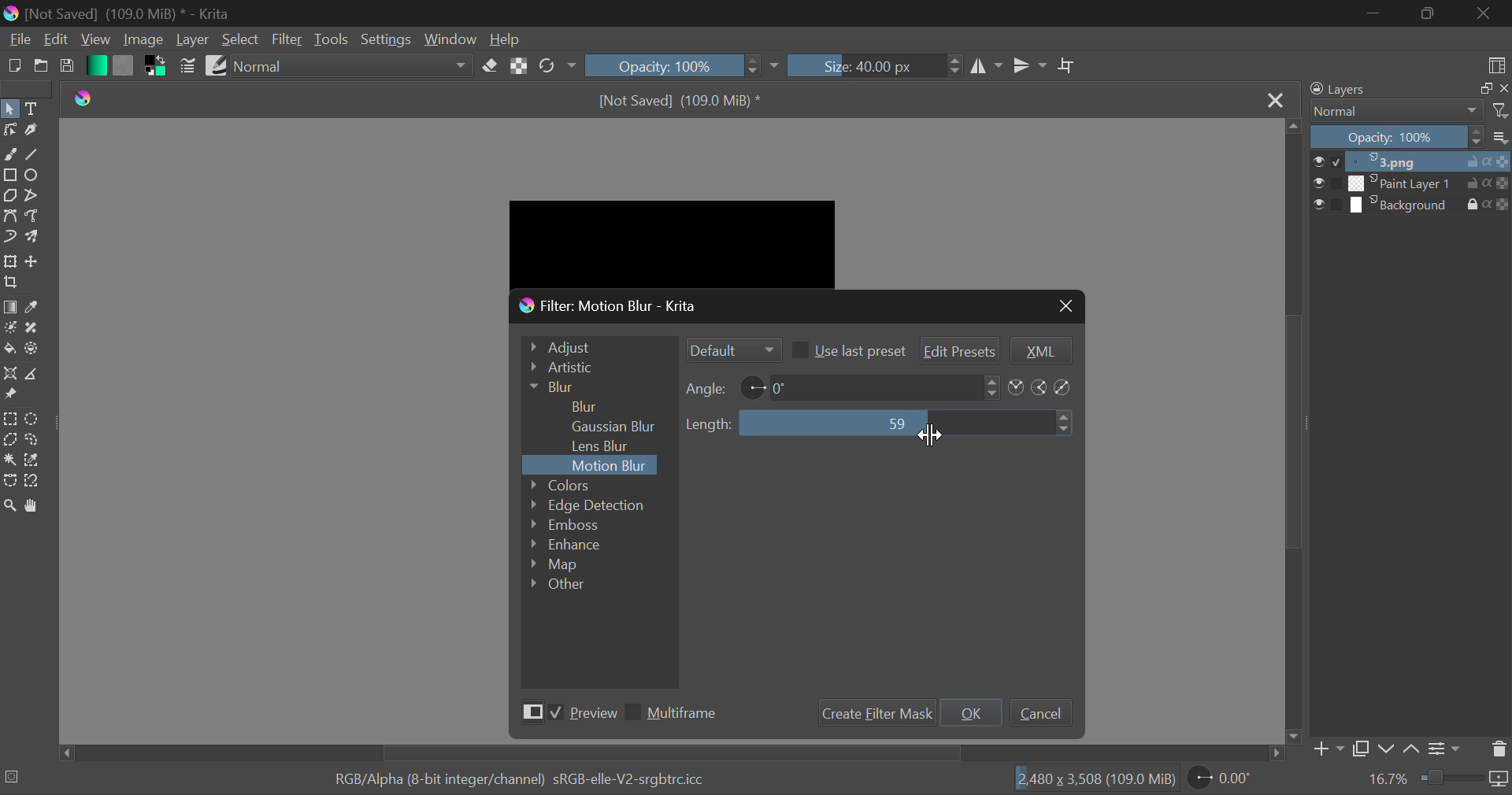 Image resolution: width=1512 pixels, height=795 pixels. What do you see at coordinates (9, 196) in the screenshot?
I see `Polygons` at bounding box center [9, 196].